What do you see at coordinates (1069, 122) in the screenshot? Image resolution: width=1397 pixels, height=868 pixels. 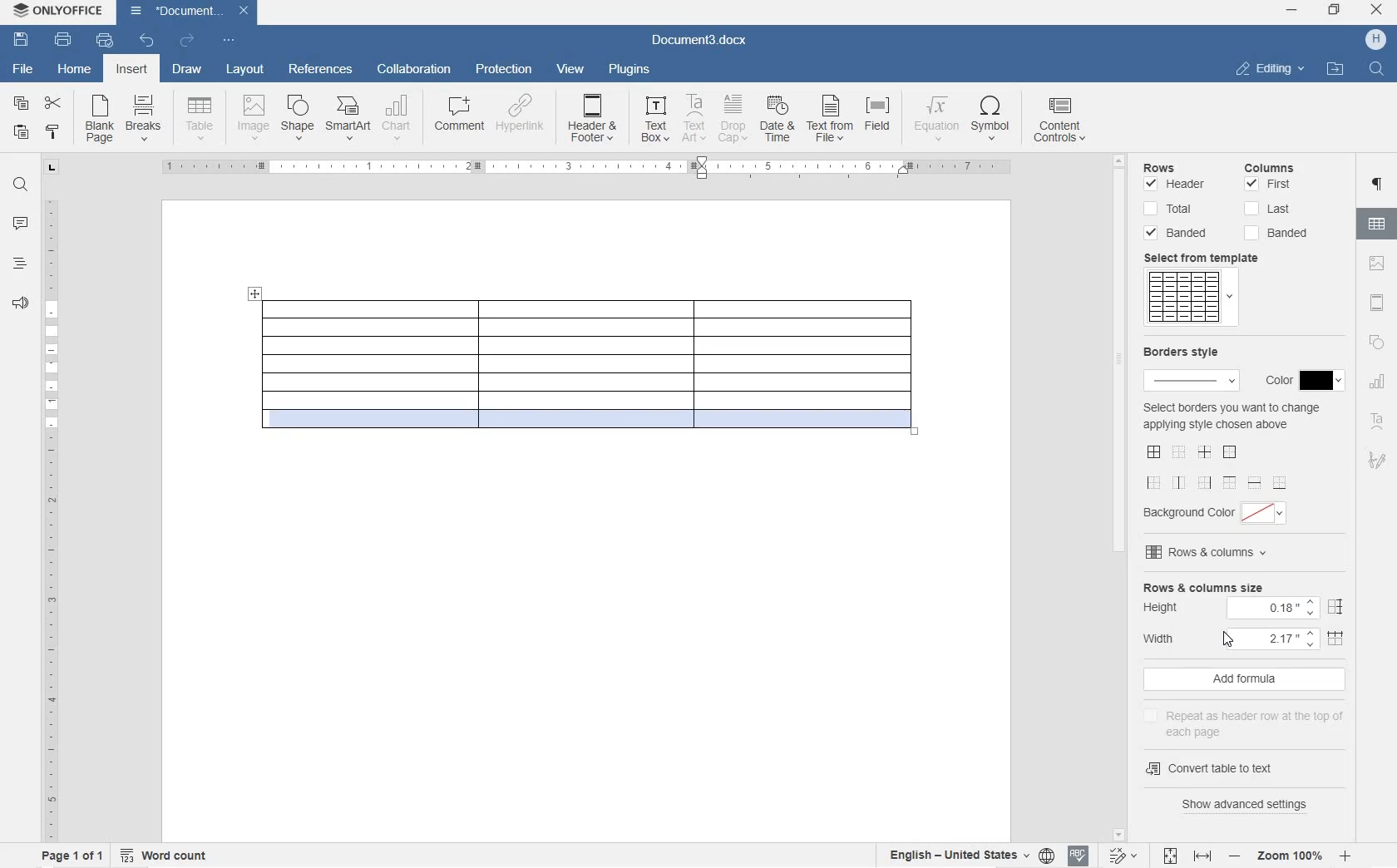 I see `CONTENT CONTROLS` at bounding box center [1069, 122].